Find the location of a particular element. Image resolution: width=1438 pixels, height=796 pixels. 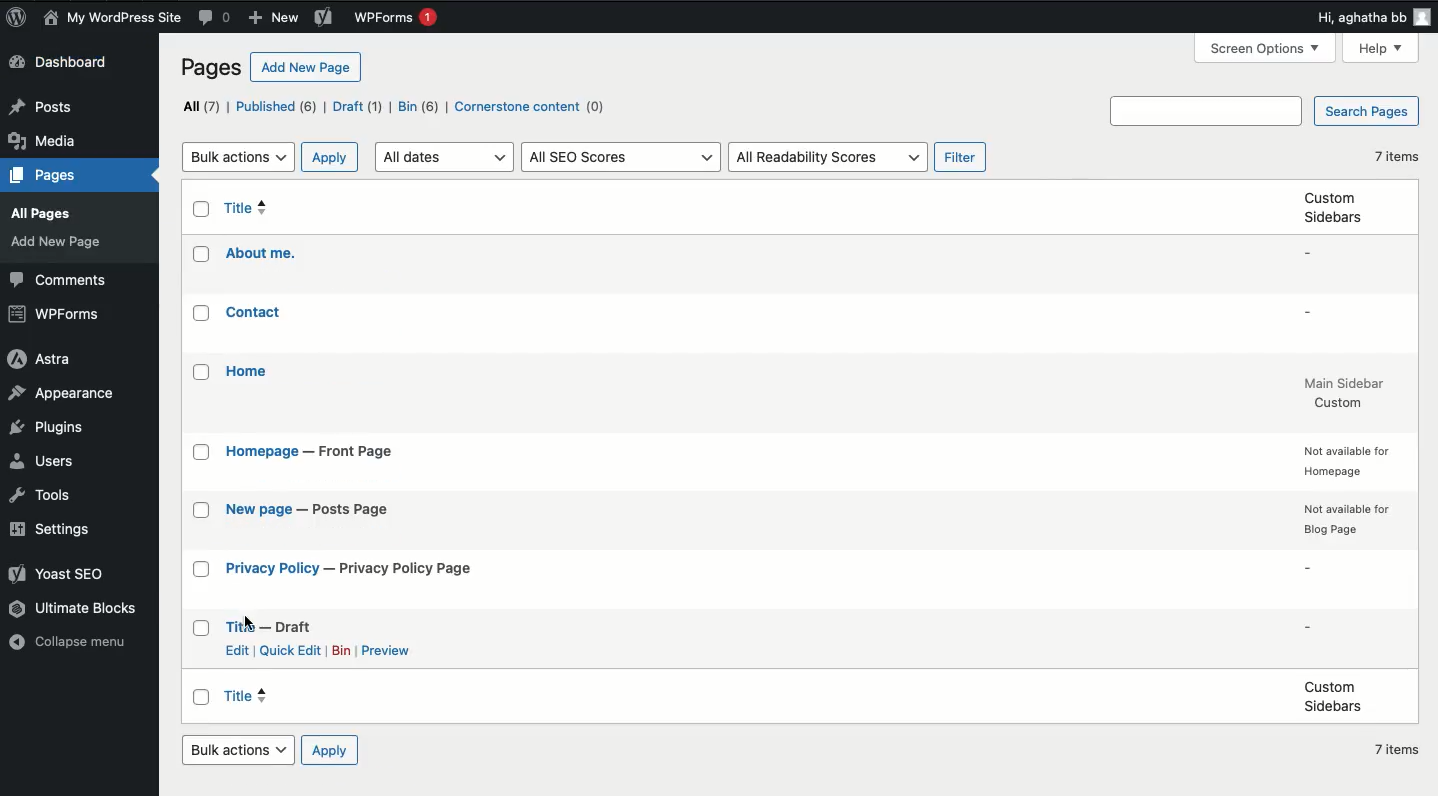

Custom sidebars is located at coordinates (1331, 206).